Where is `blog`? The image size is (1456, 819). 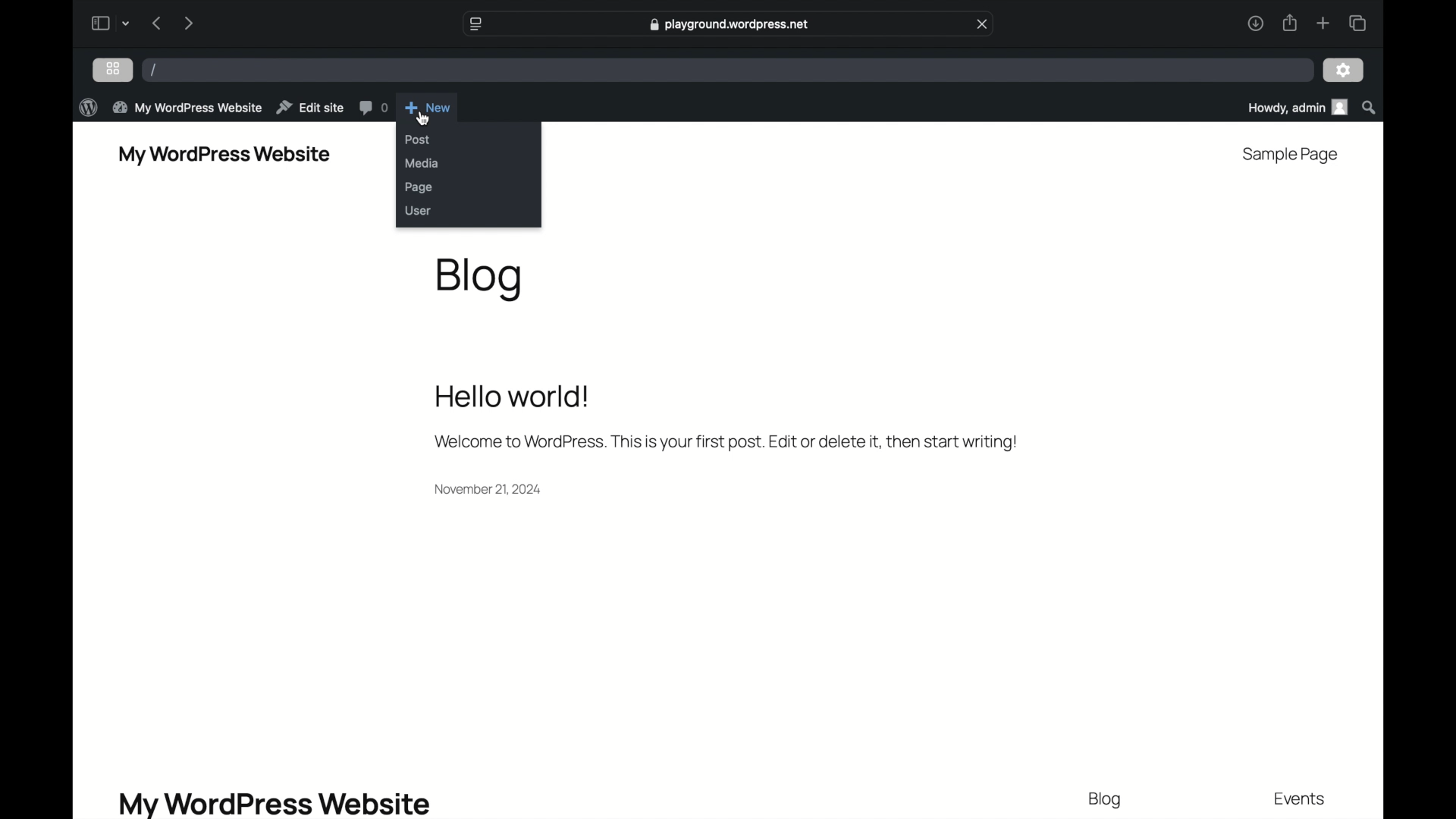 blog is located at coordinates (479, 279).